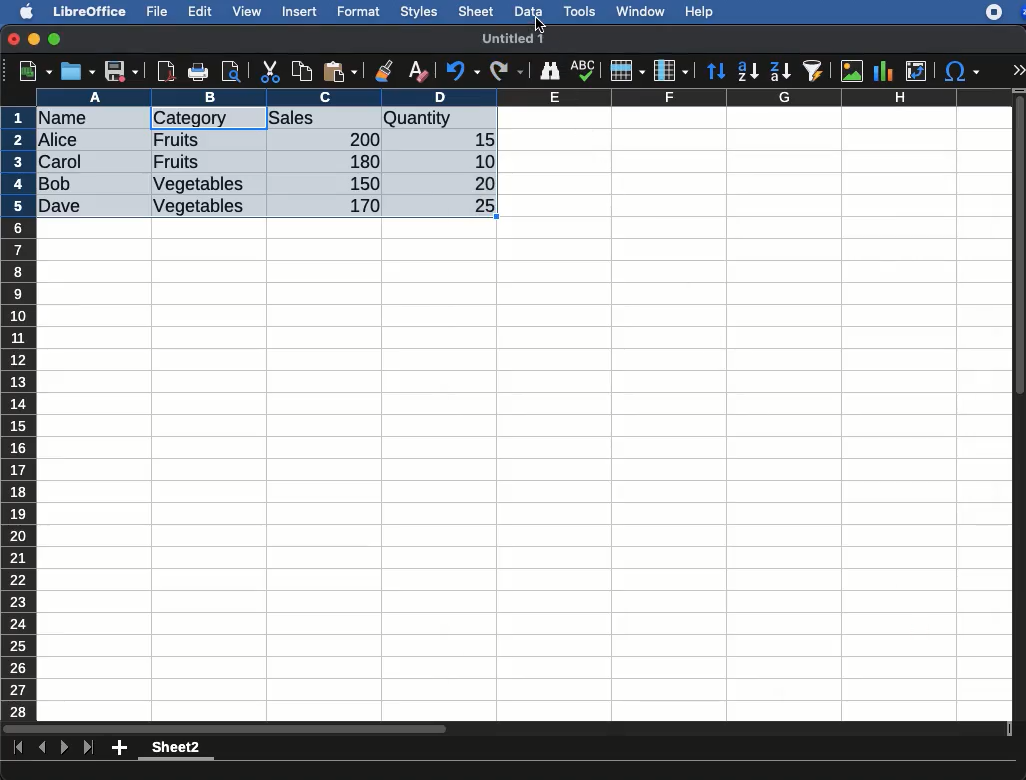  Describe the element at coordinates (715, 72) in the screenshot. I see `sort` at that location.